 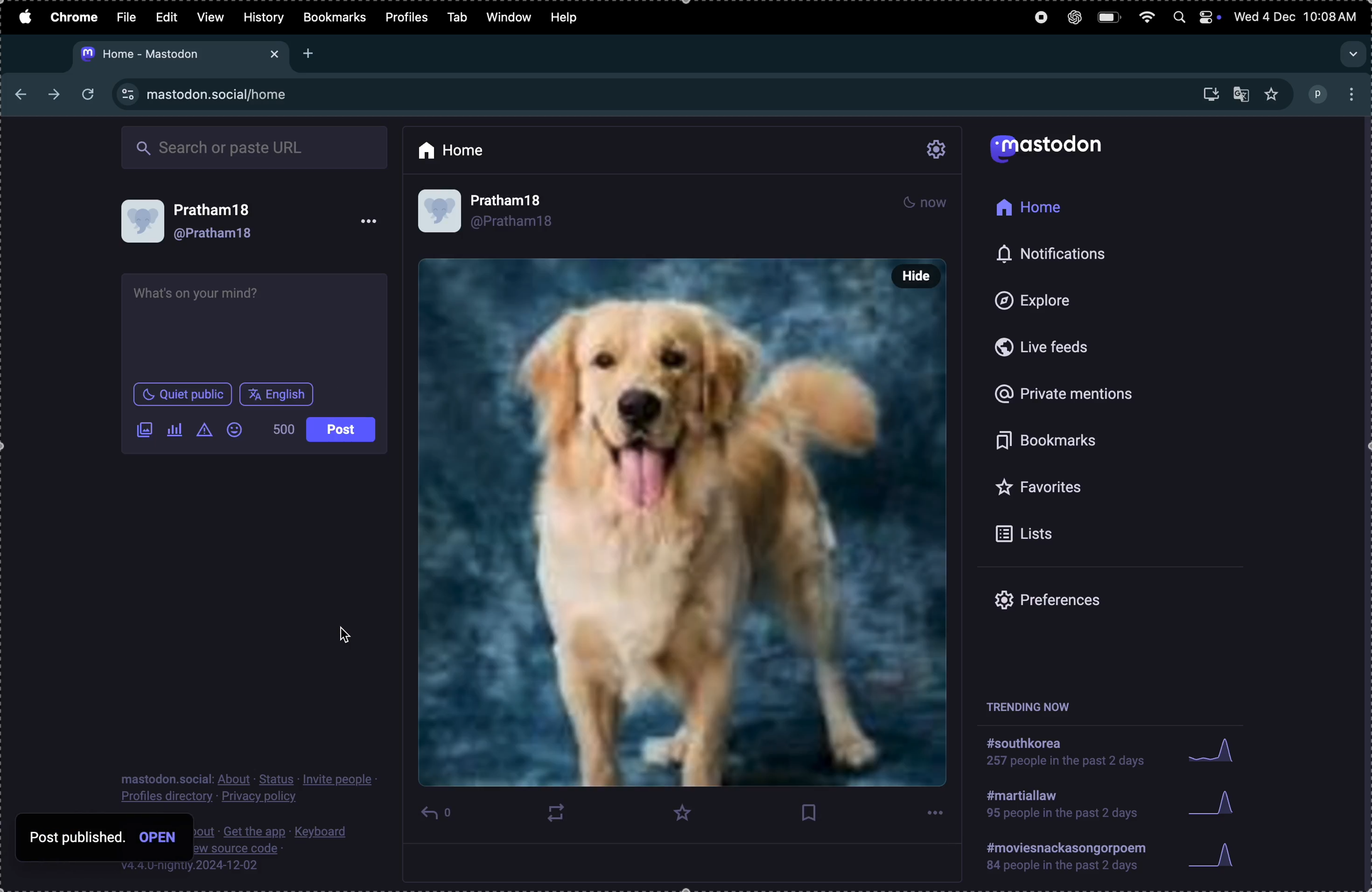 I want to click on user profile, so click(x=493, y=213).